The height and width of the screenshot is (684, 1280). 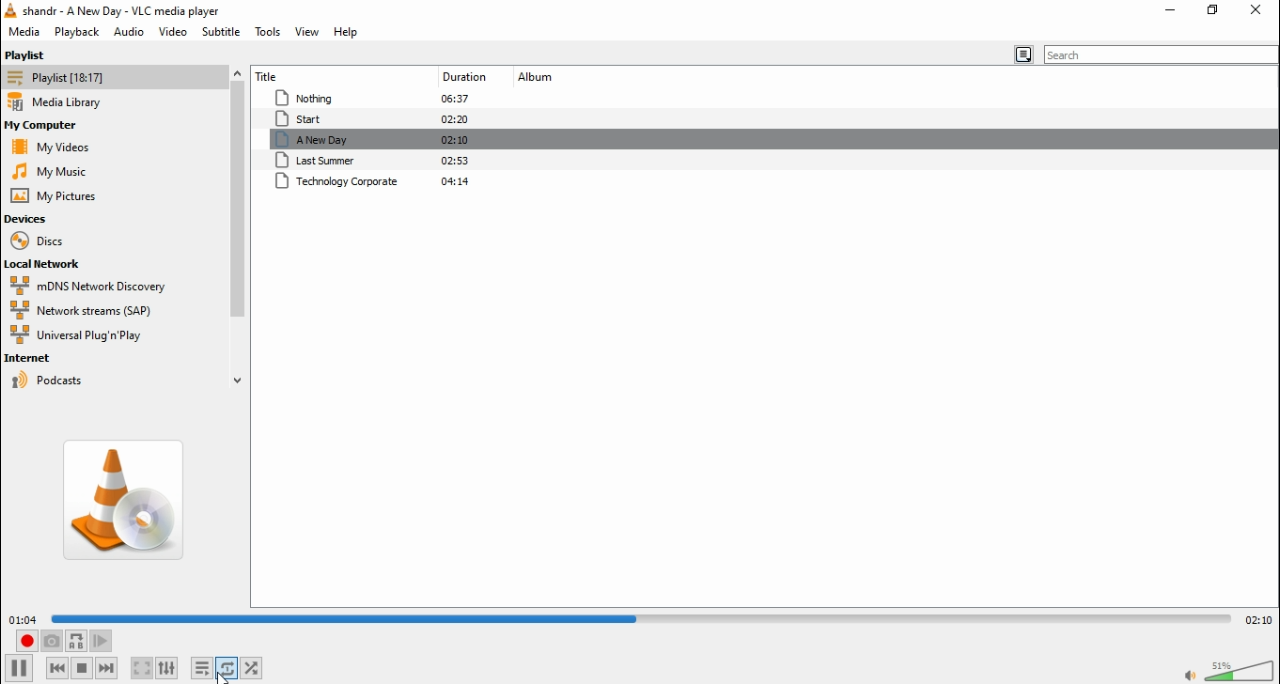 I want to click on playlist, so click(x=31, y=54).